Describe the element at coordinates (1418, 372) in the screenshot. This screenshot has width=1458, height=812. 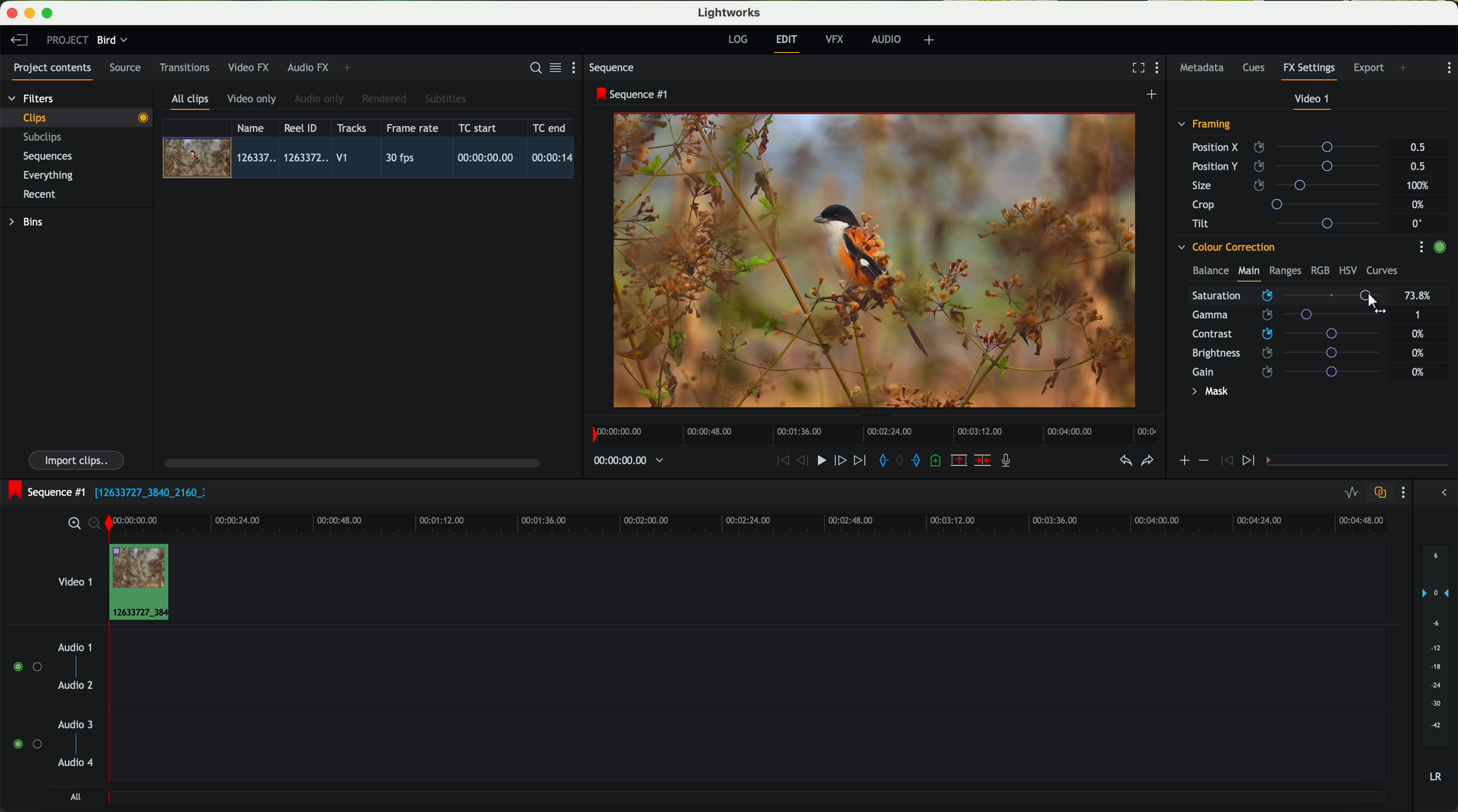
I see `0%` at that location.